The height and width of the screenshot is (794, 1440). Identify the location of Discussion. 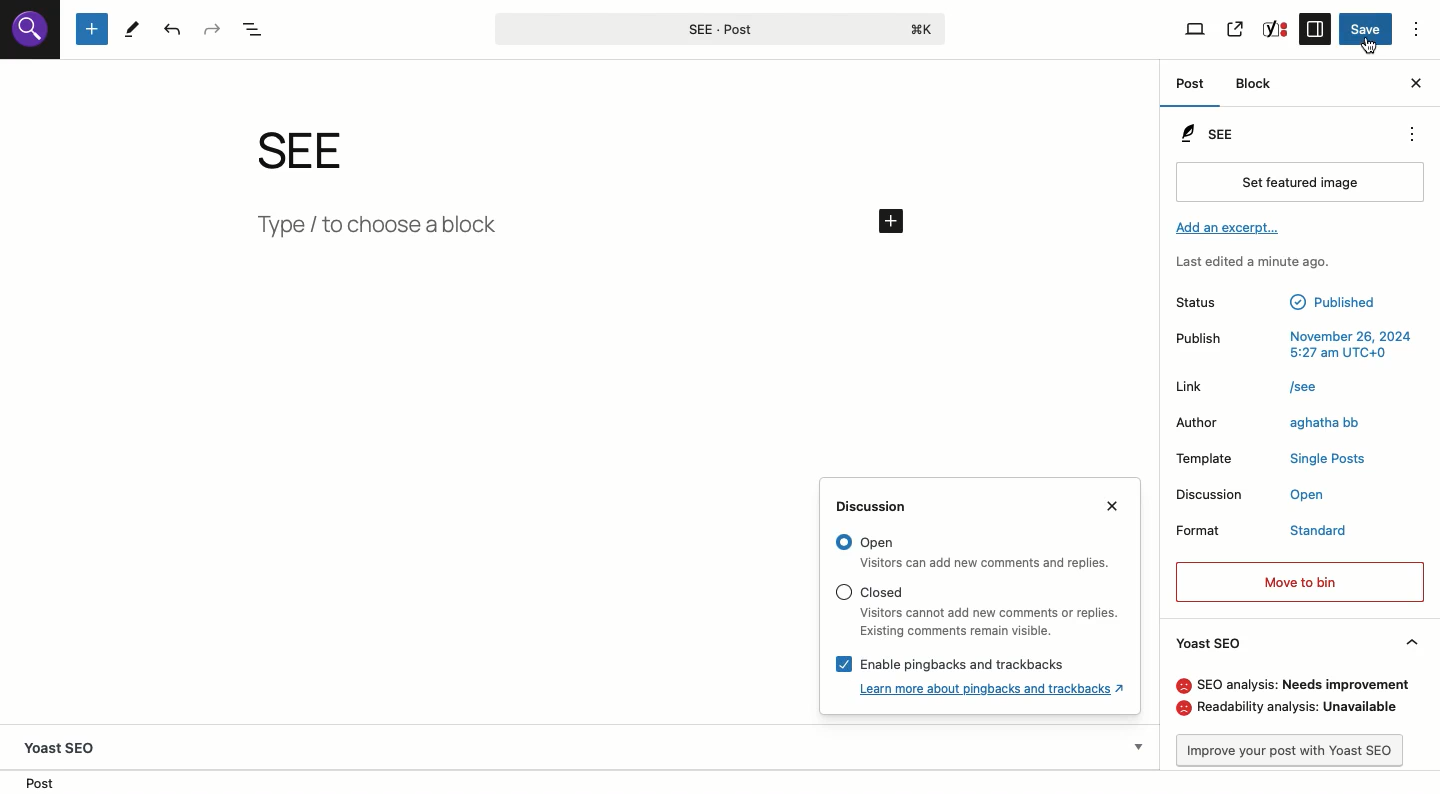
(881, 507).